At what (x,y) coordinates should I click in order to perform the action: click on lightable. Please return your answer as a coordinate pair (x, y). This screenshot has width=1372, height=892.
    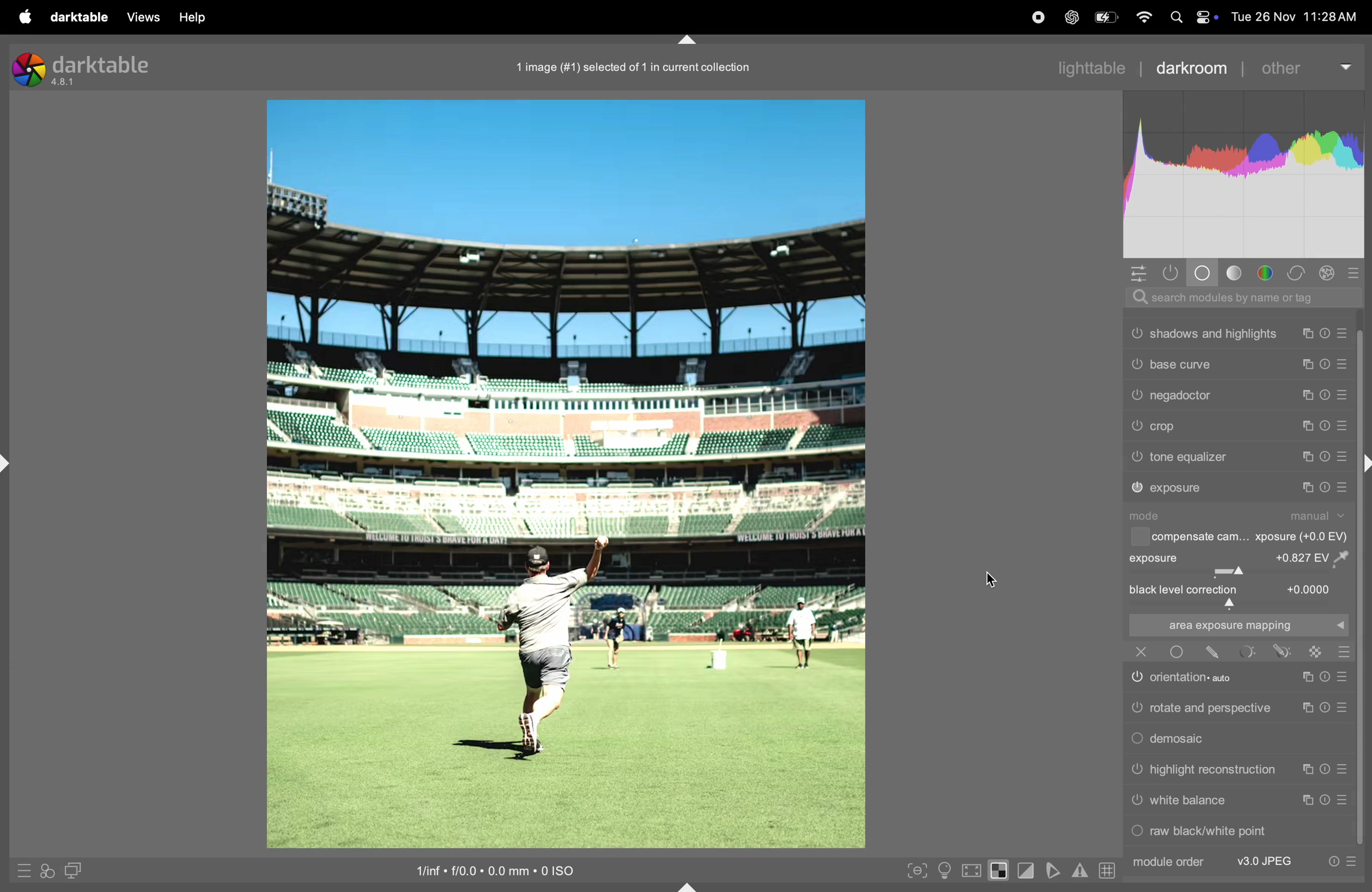
    Looking at the image, I should click on (1083, 68).